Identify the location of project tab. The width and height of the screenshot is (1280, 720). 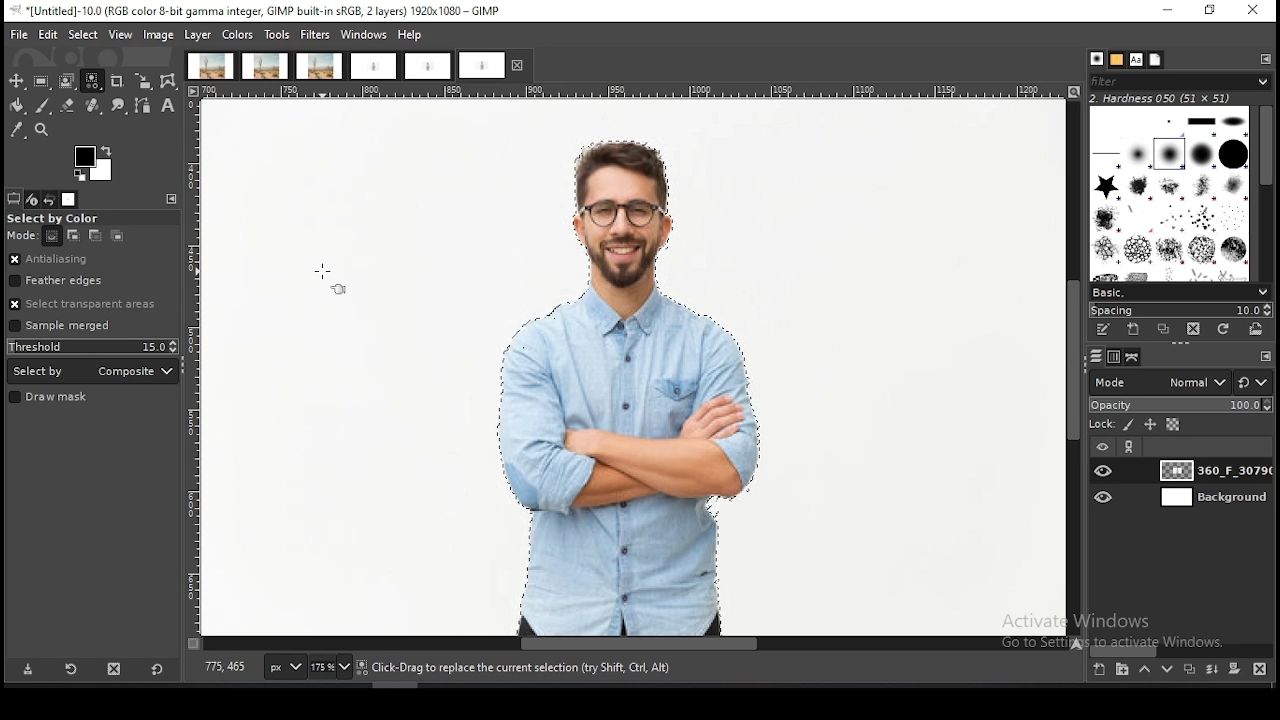
(373, 67).